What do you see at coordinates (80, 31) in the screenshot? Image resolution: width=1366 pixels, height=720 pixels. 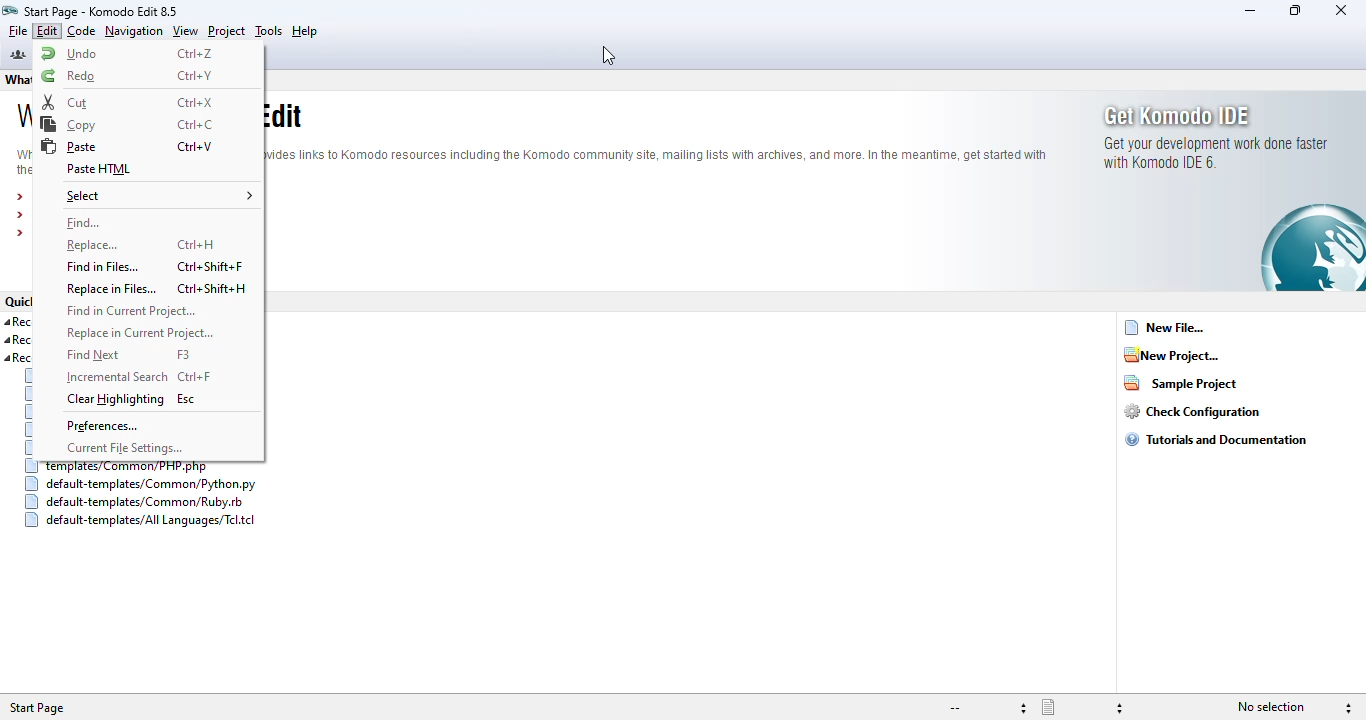 I see `code` at bounding box center [80, 31].